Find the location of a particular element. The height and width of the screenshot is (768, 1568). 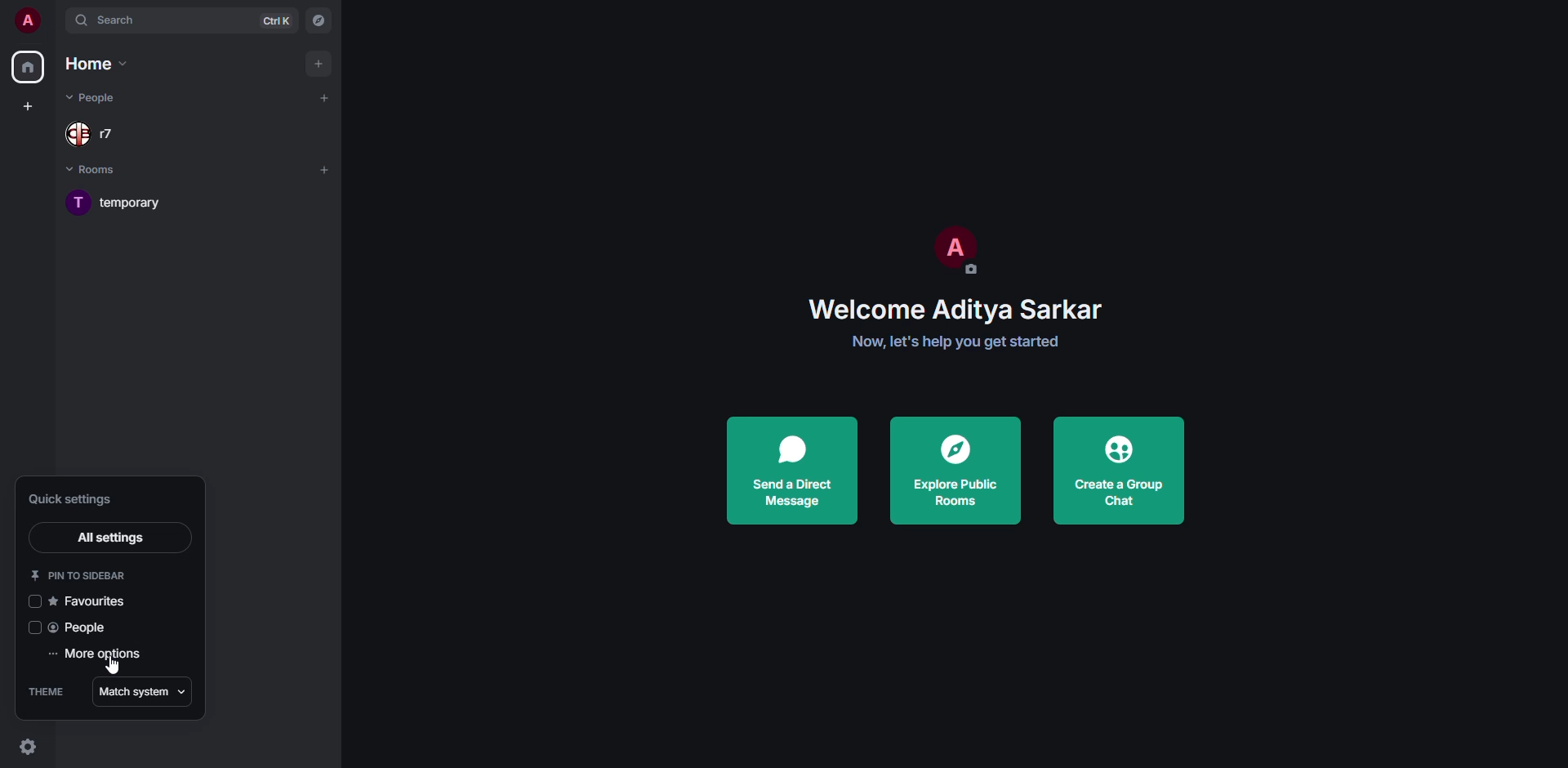

quick settings is located at coordinates (26, 745).